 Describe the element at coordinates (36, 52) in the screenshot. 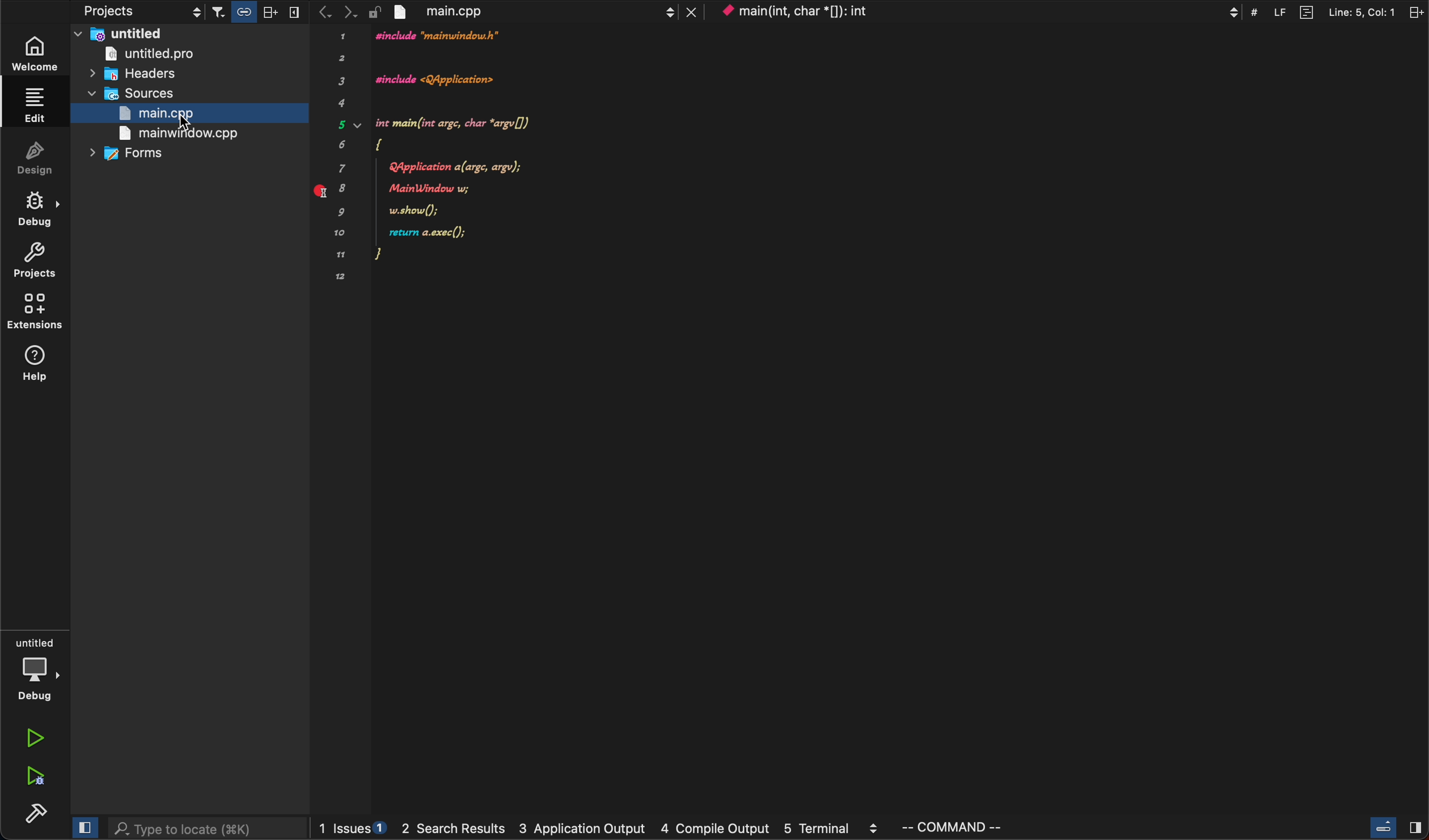

I see `welcome` at that location.